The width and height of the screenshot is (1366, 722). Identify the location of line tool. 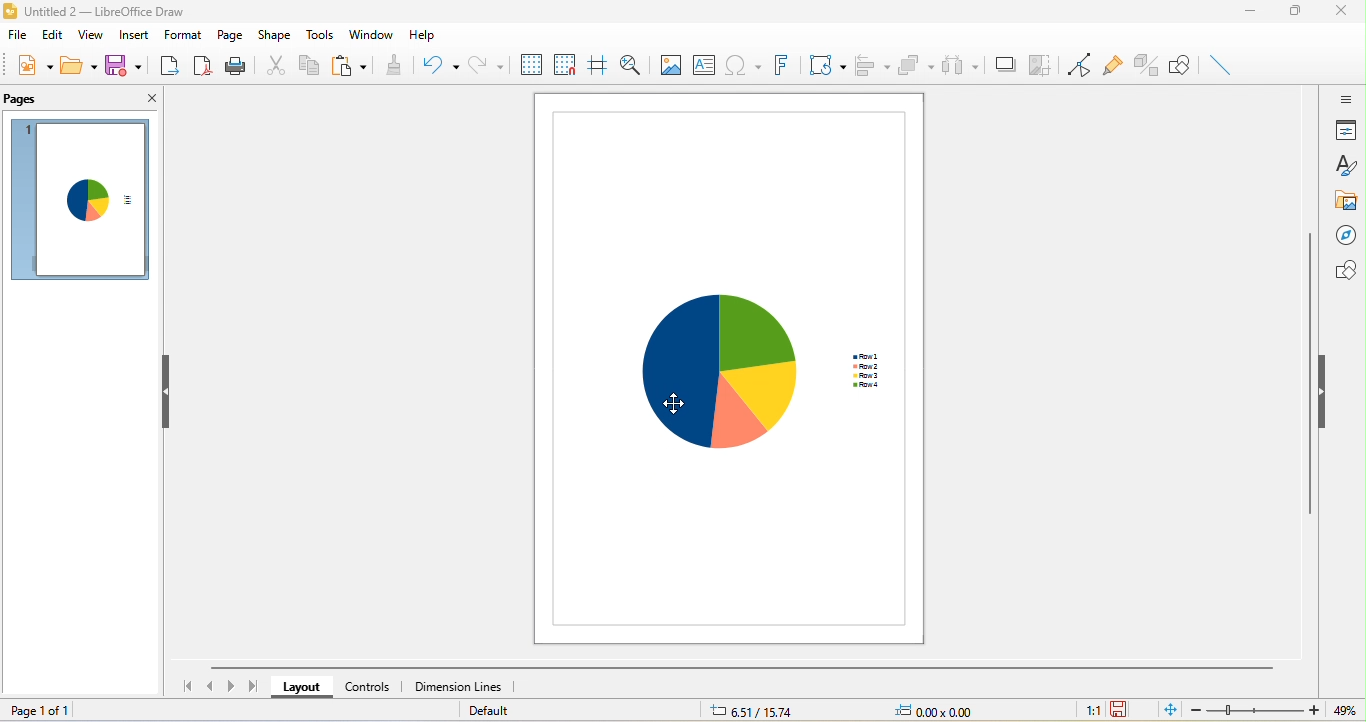
(1222, 65).